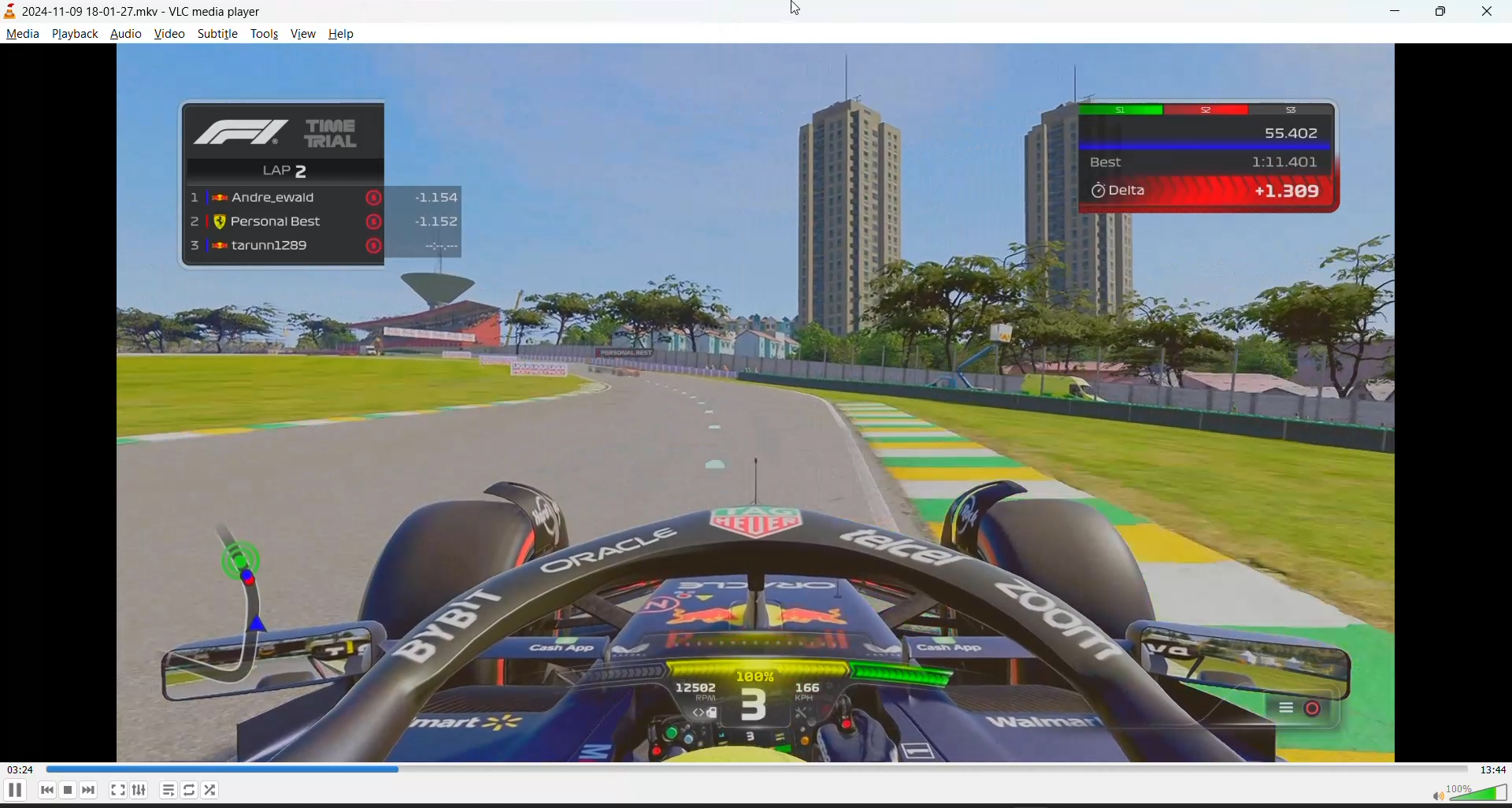 The height and width of the screenshot is (808, 1512). I want to click on settings, so click(139, 790).